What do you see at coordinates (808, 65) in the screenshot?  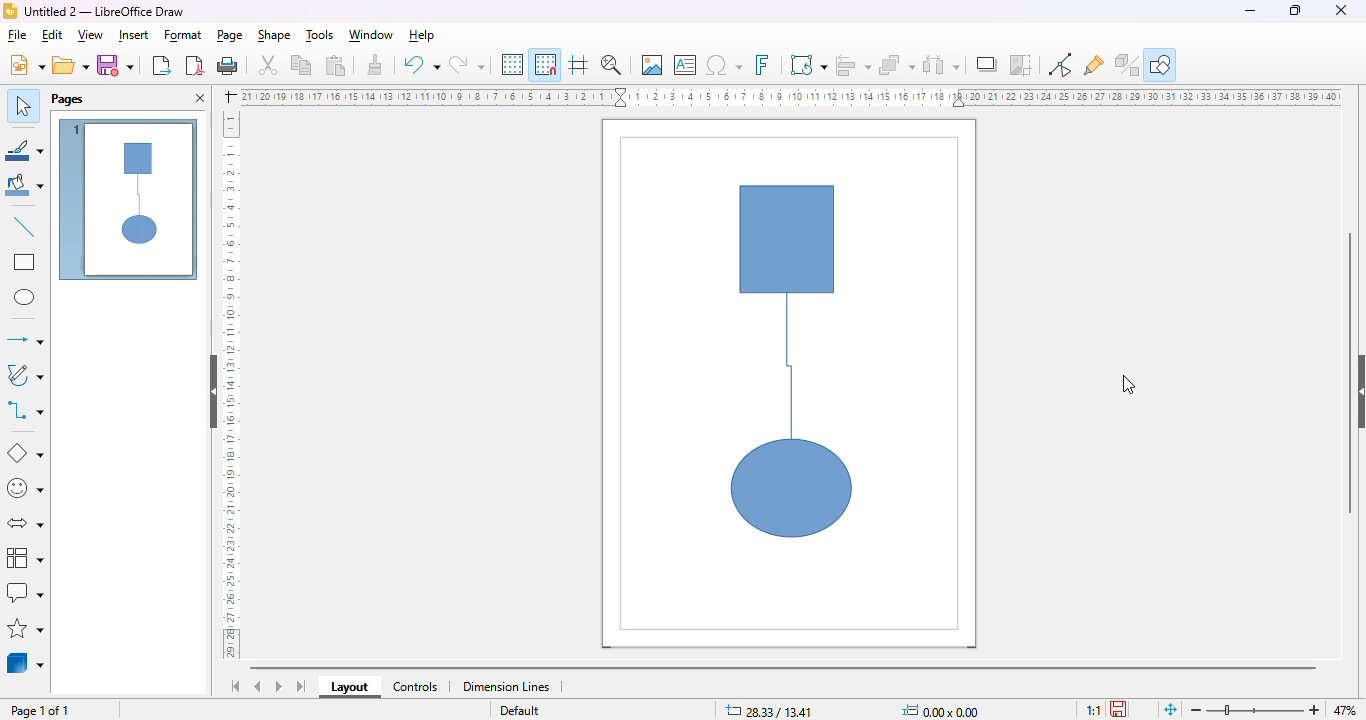 I see `transformations` at bounding box center [808, 65].